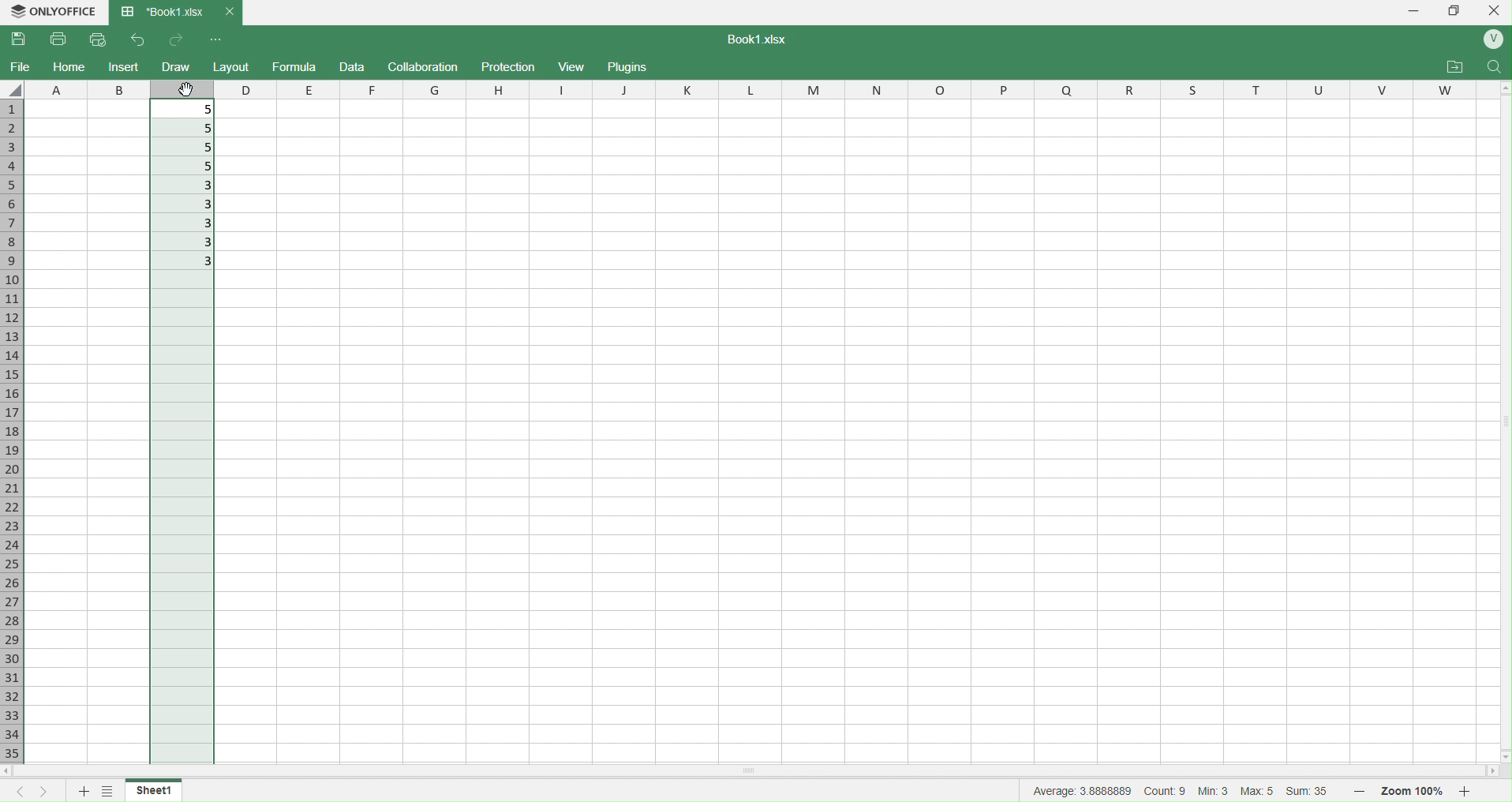 This screenshot has height=802, width=1512. Describe the element at coordinates (424, 66) in the screenshot. I see `Collaboration` at that location.